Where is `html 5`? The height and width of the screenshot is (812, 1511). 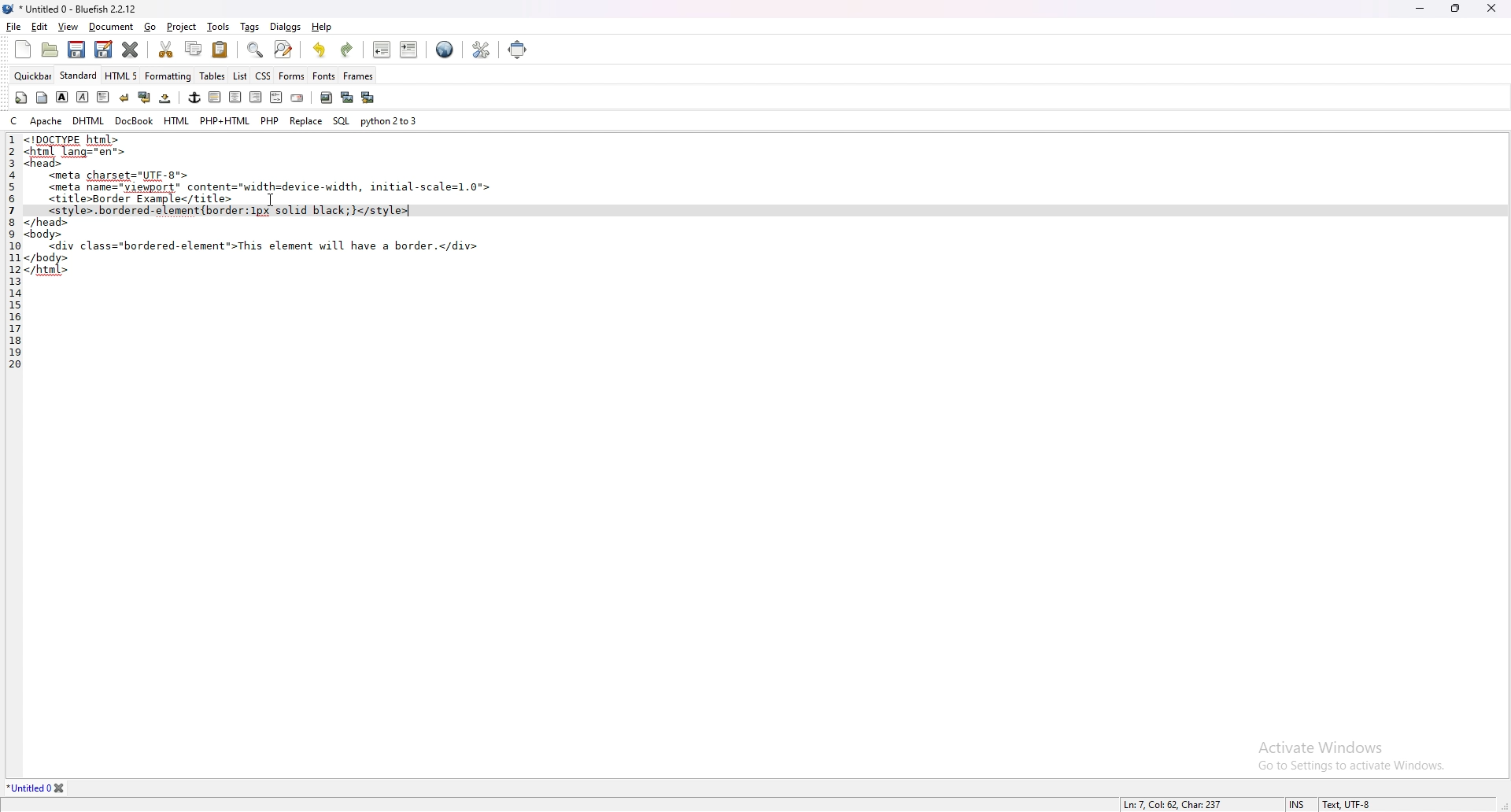 html 5 is located at coordinates (122, 75).